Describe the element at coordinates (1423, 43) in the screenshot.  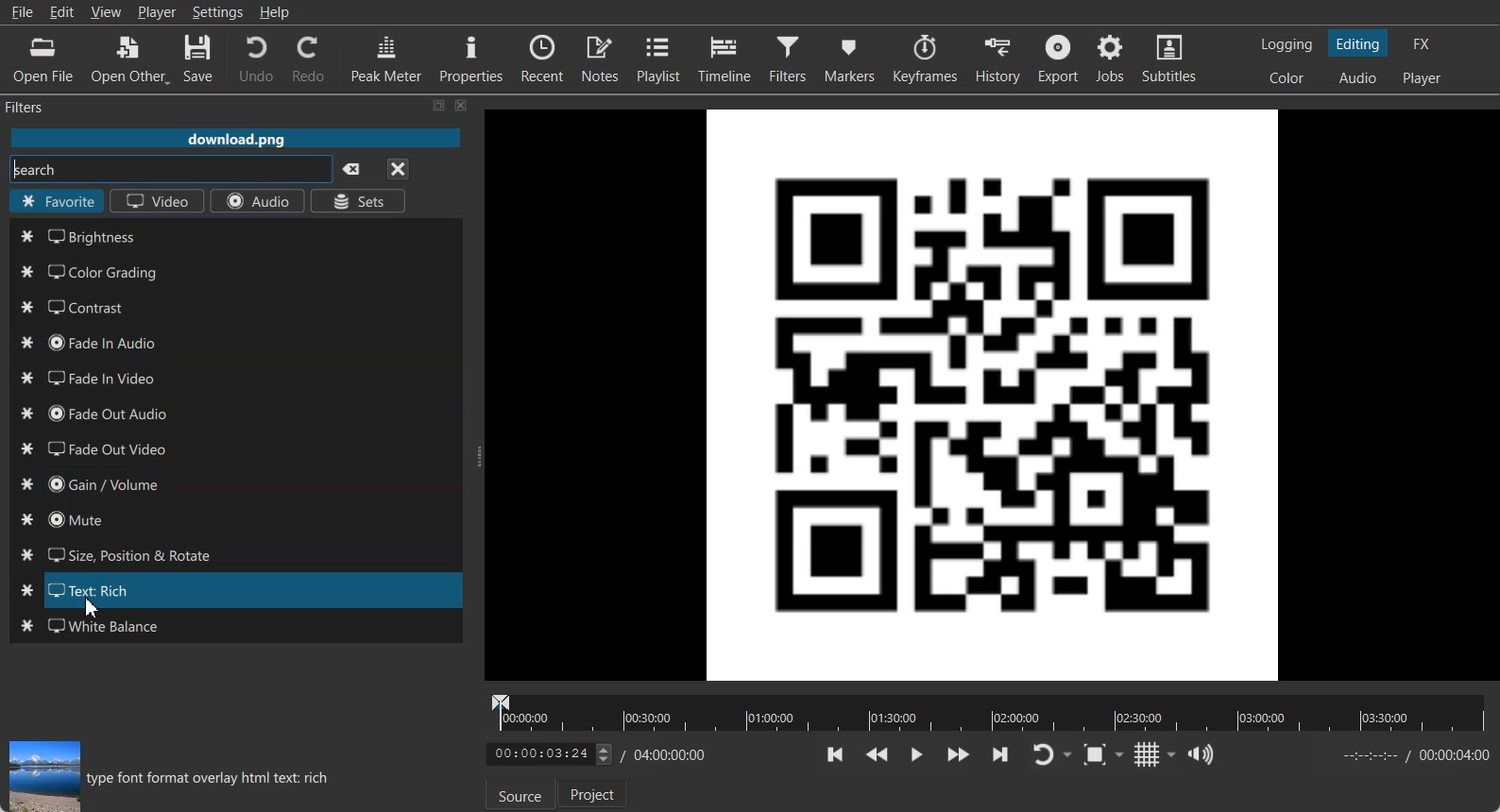
I see `Switching to the Effect layout` at that location.